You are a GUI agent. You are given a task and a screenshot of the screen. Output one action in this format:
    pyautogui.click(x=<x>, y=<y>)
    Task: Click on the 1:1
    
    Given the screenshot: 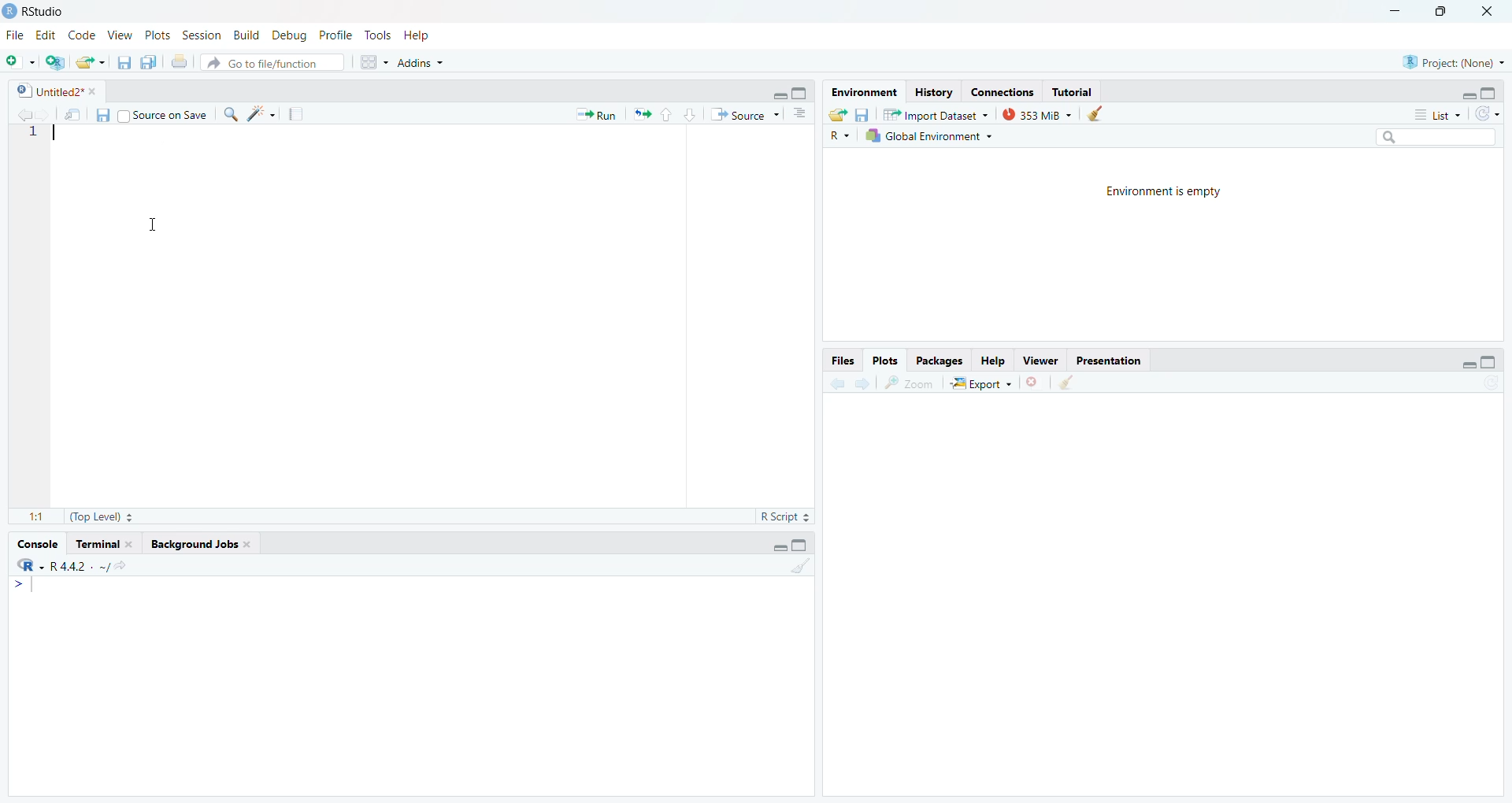 What is the action you would take?
    pyautogui.click(x=32, y=516)
    